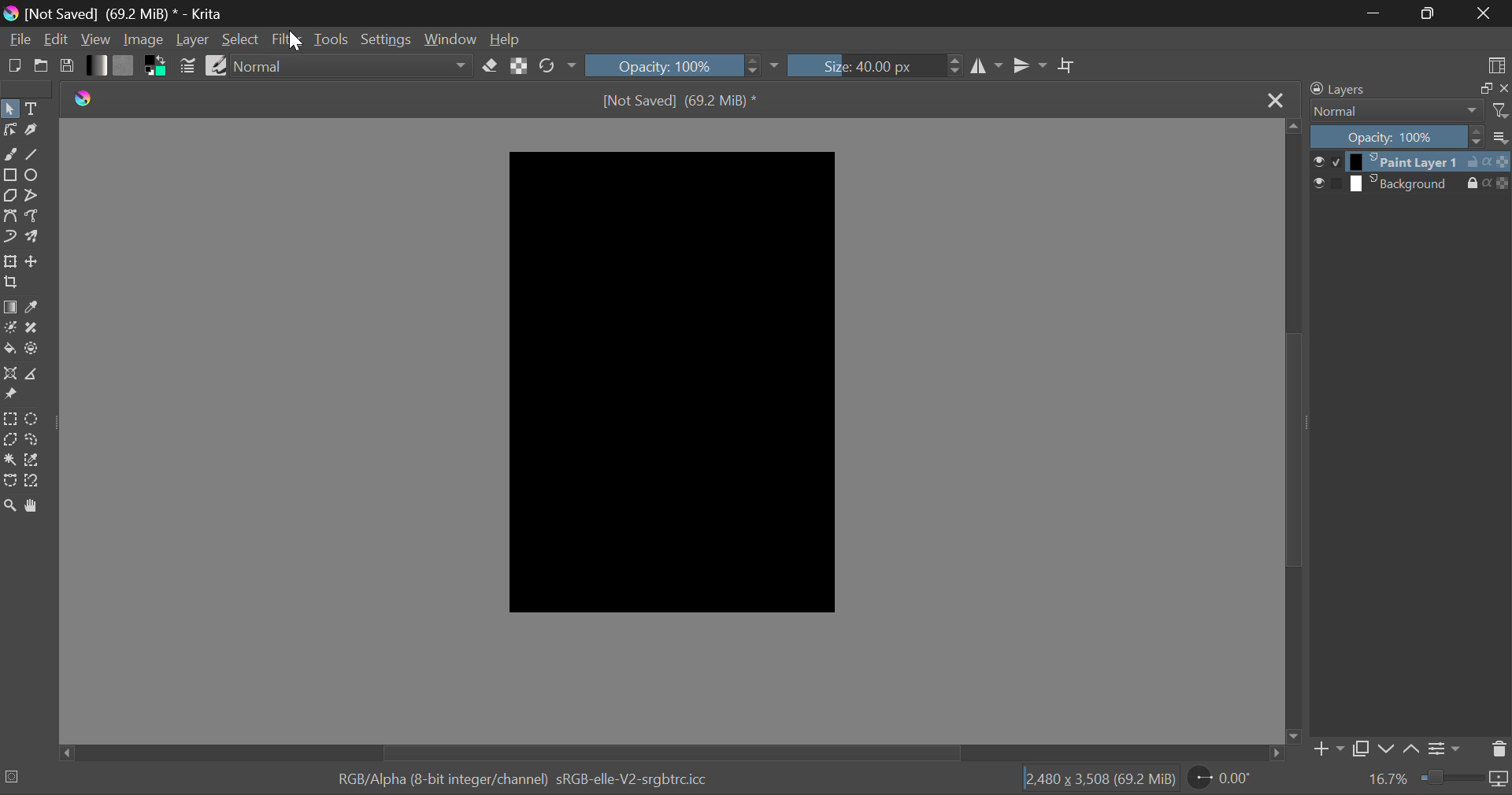  What do you see at coordinates (10, 197) in the screenshot?
I see `Polygons` at bounding box center [10, 197].